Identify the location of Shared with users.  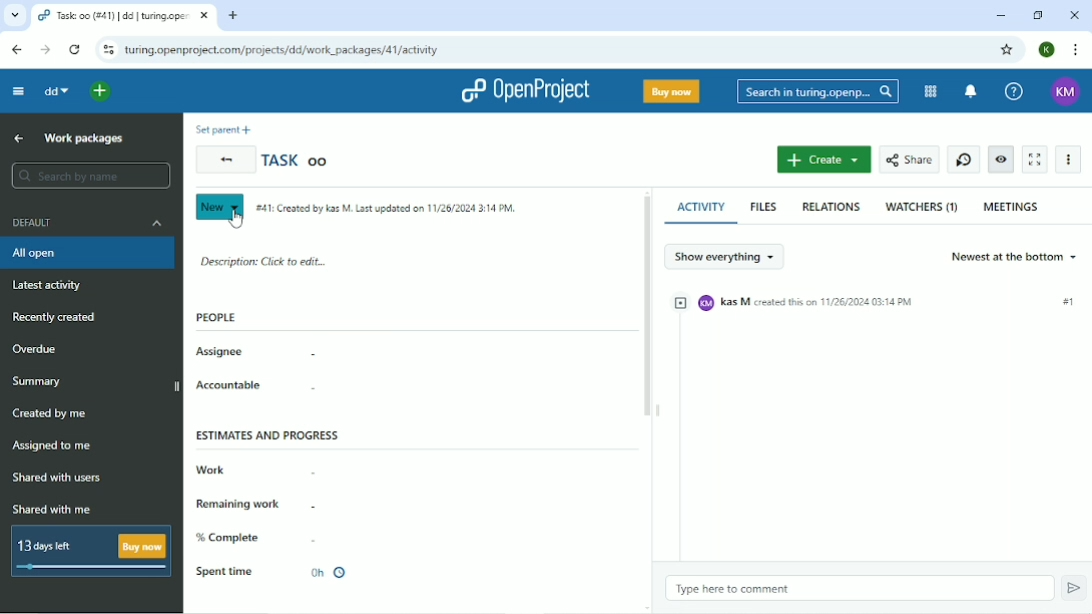
(59, 478).